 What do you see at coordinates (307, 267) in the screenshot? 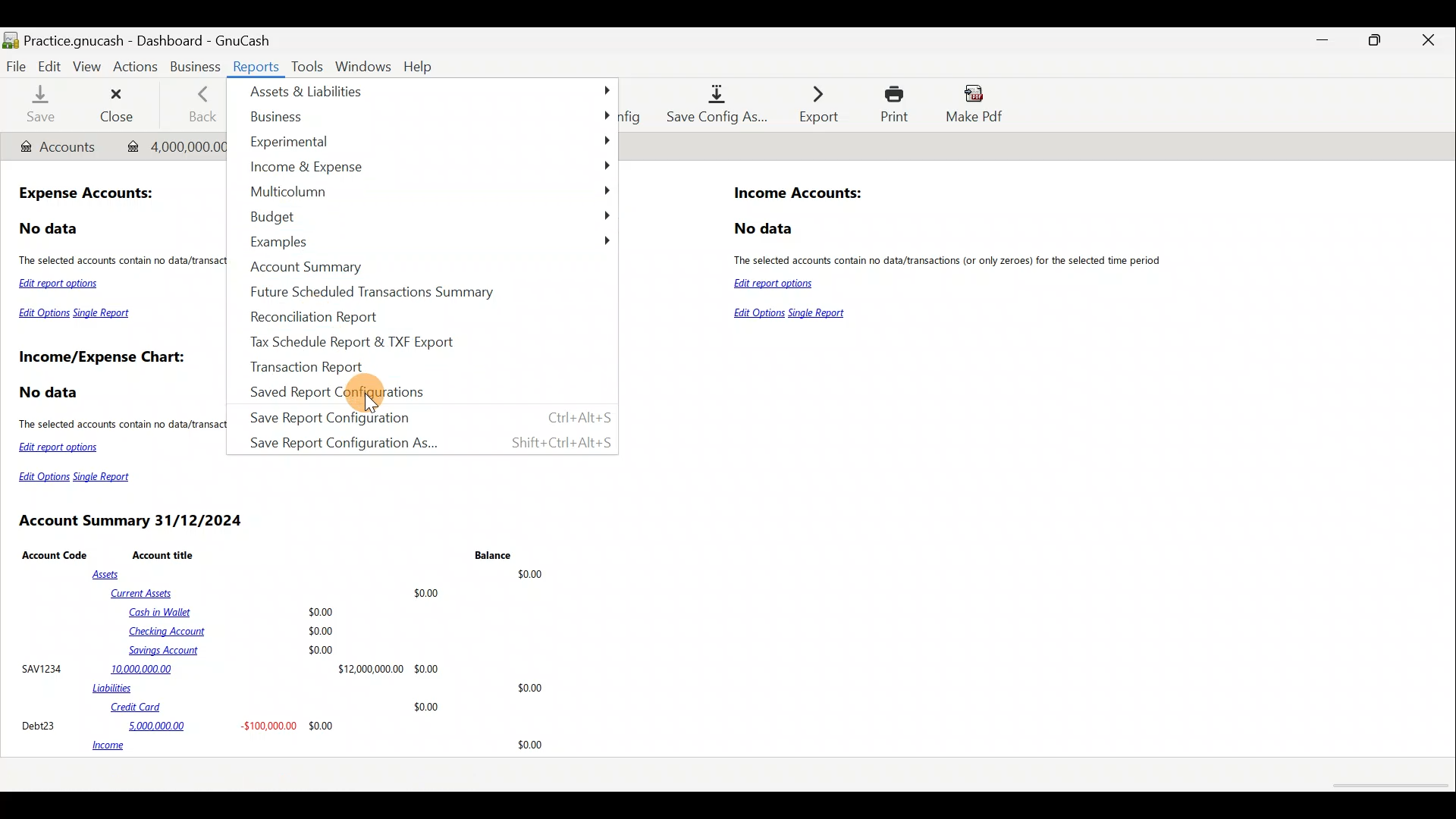
I see `Account Summary` at bounding box center [307, 267].